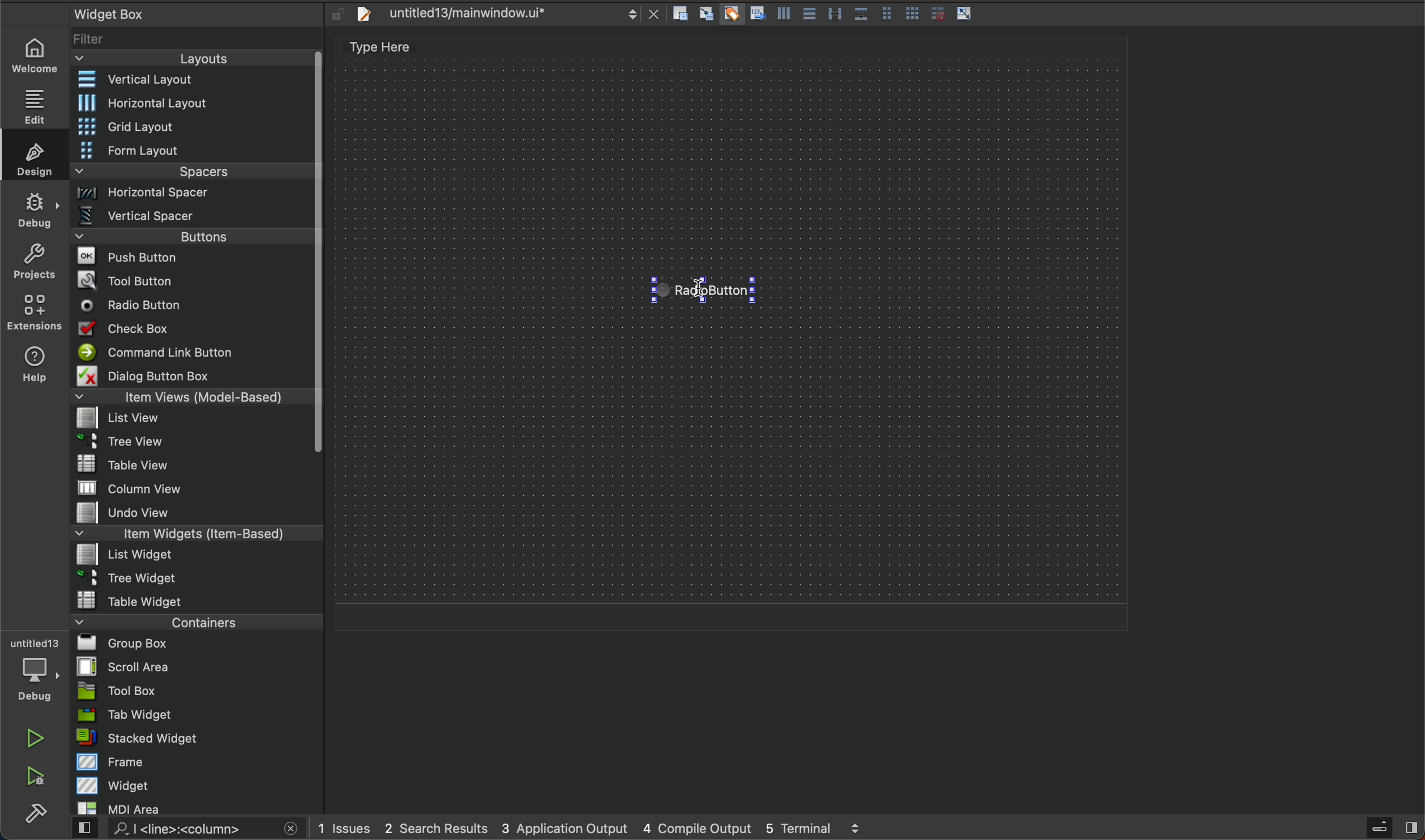  What do you see at coordinates (192, 306) in the screenshot?
I see `radio` at bounding box center [192, 306].